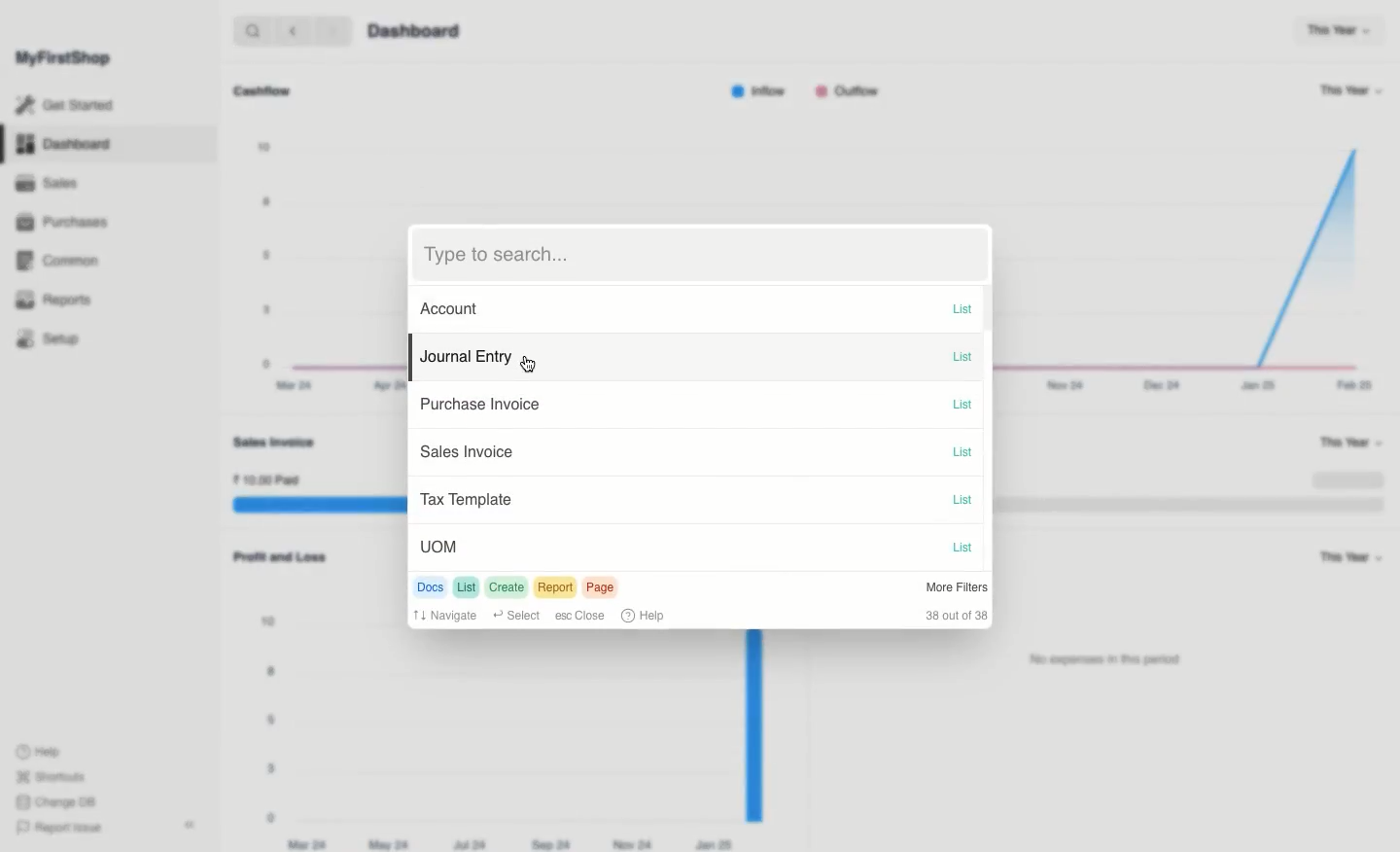 Image resolution: width=1400 pixels, height=852 pixels. Describe the element at coordinates (190, 825) in the screenshot. I see `Collapse` at that location.